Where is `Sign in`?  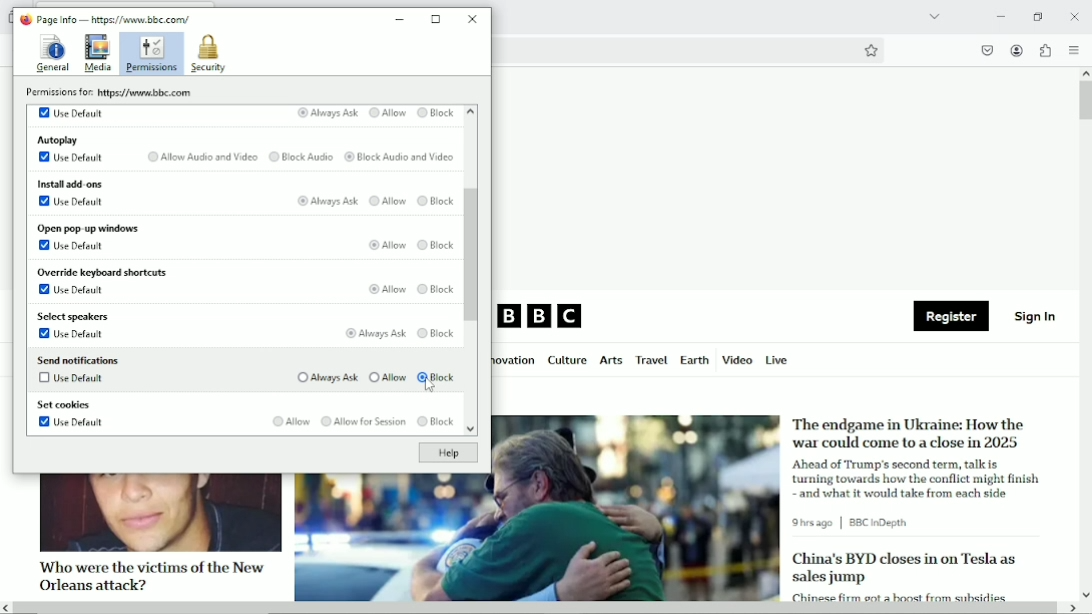 Sign in is located at coordinates (1036, 315).